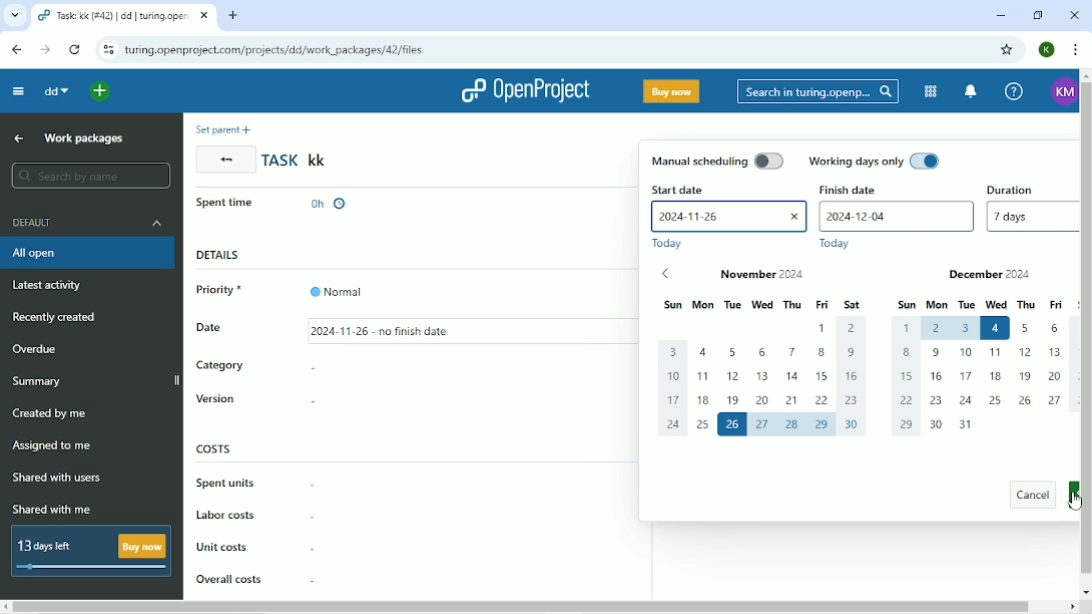 The image size is (1092, 614). What do you see at coordinates (980, 303) in the screenshot?
I see `sun mon tue wed thu fri sat` at bounding box center [980, 303].